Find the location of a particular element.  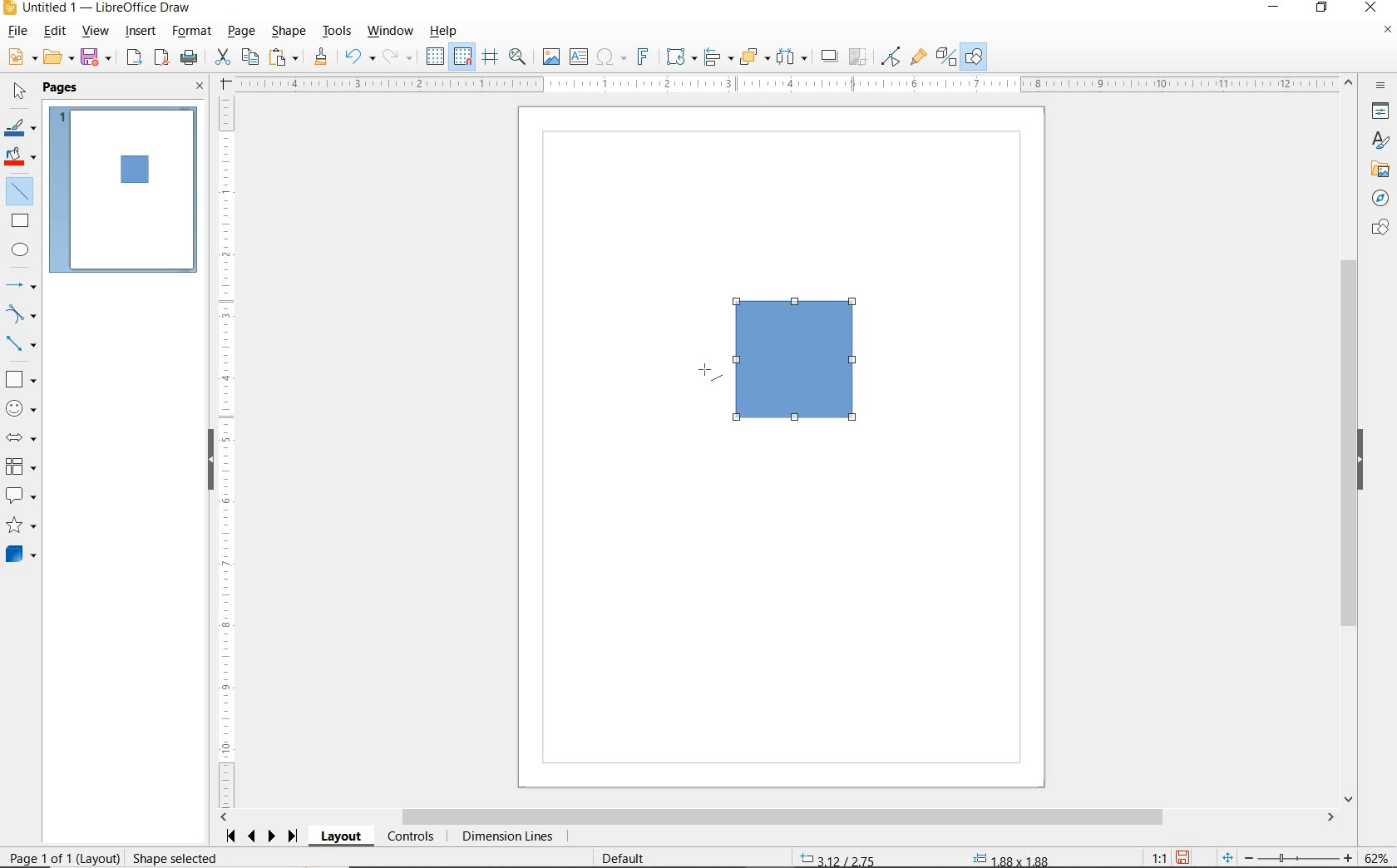

SAVE is located at coordinates (97, 58).